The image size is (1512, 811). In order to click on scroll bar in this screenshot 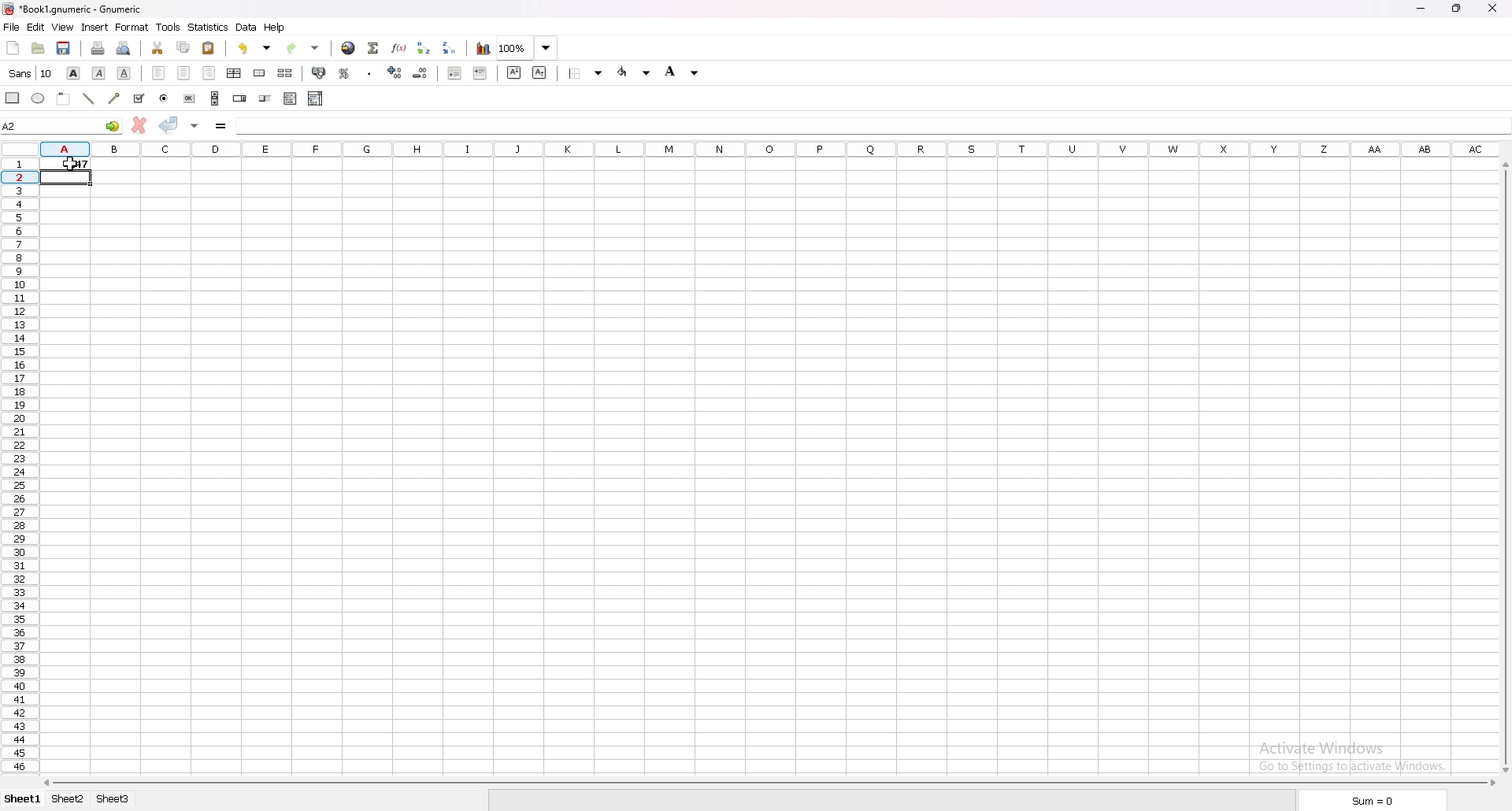, I will do `click(1506, 466)`.